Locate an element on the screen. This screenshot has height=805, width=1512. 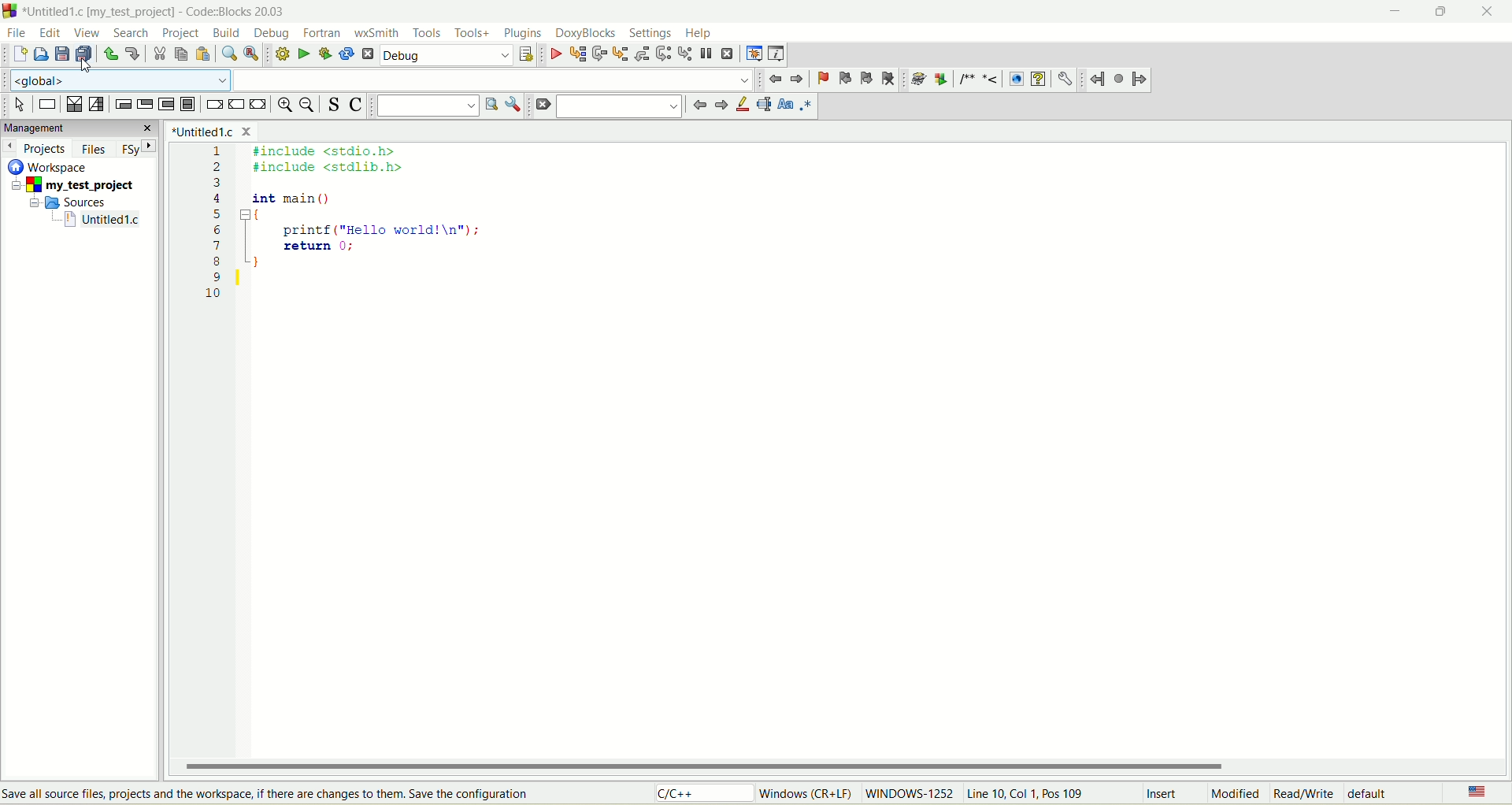
comment is located at coordinates (981, 80).